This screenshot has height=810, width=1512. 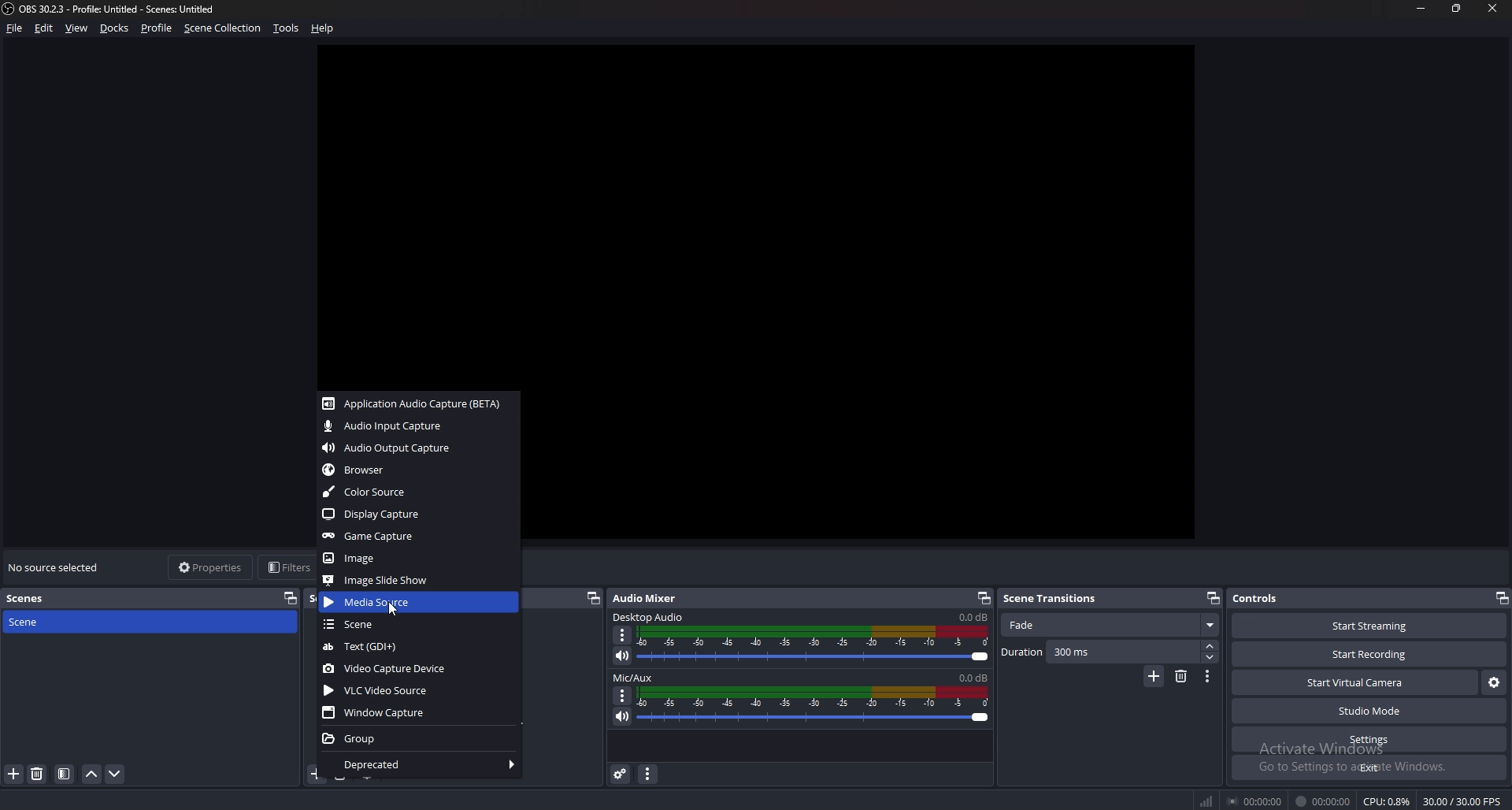 I want to click on scene, so click(x=418, y=625).